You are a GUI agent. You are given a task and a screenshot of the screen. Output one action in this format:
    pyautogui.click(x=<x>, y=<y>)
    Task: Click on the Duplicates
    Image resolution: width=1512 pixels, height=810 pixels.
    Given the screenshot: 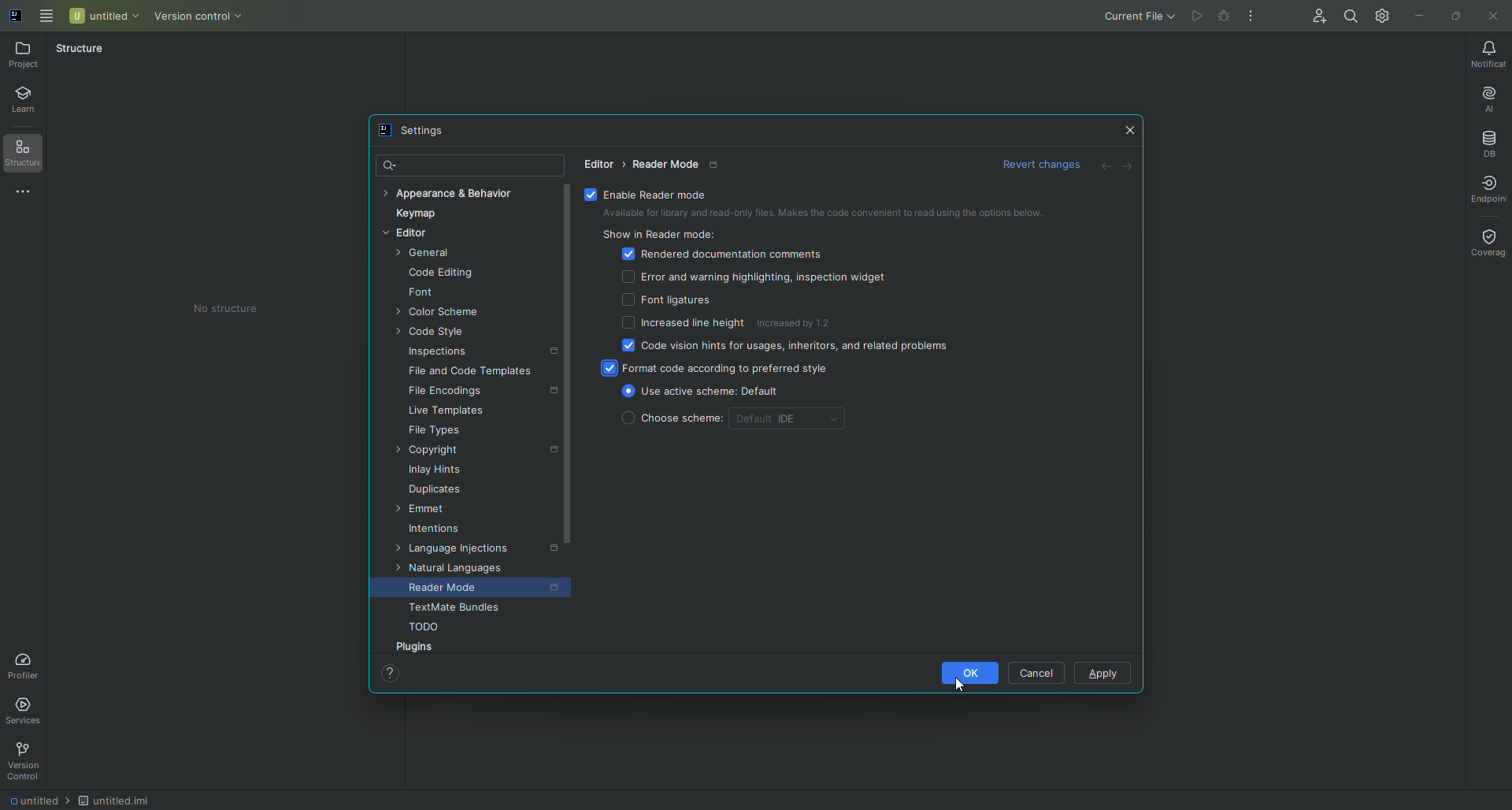 What is the action you would take?
    pyautogui.click(x=430, y=490)
    